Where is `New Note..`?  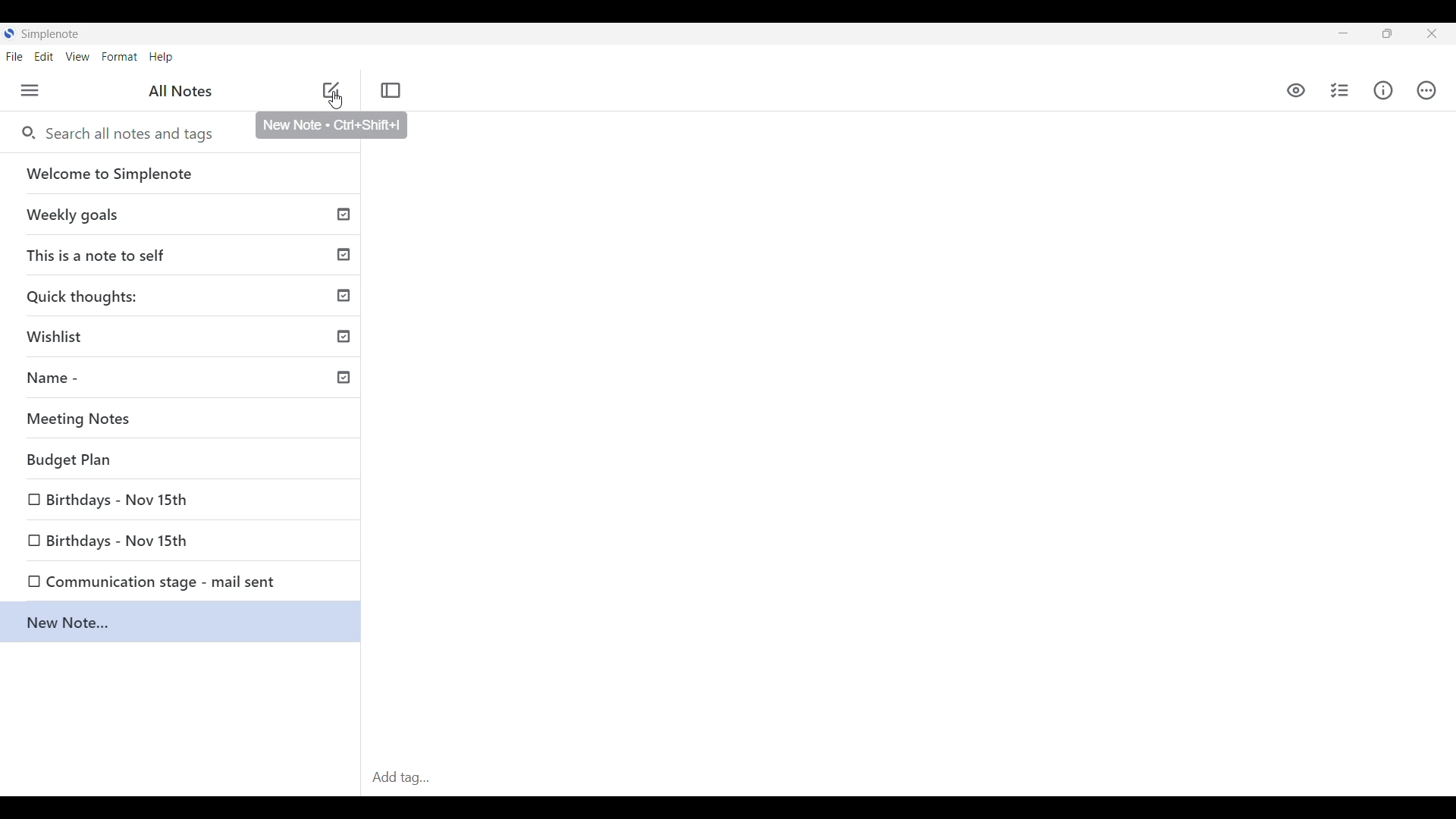 New Note.. is located at coordinates (180, 623).